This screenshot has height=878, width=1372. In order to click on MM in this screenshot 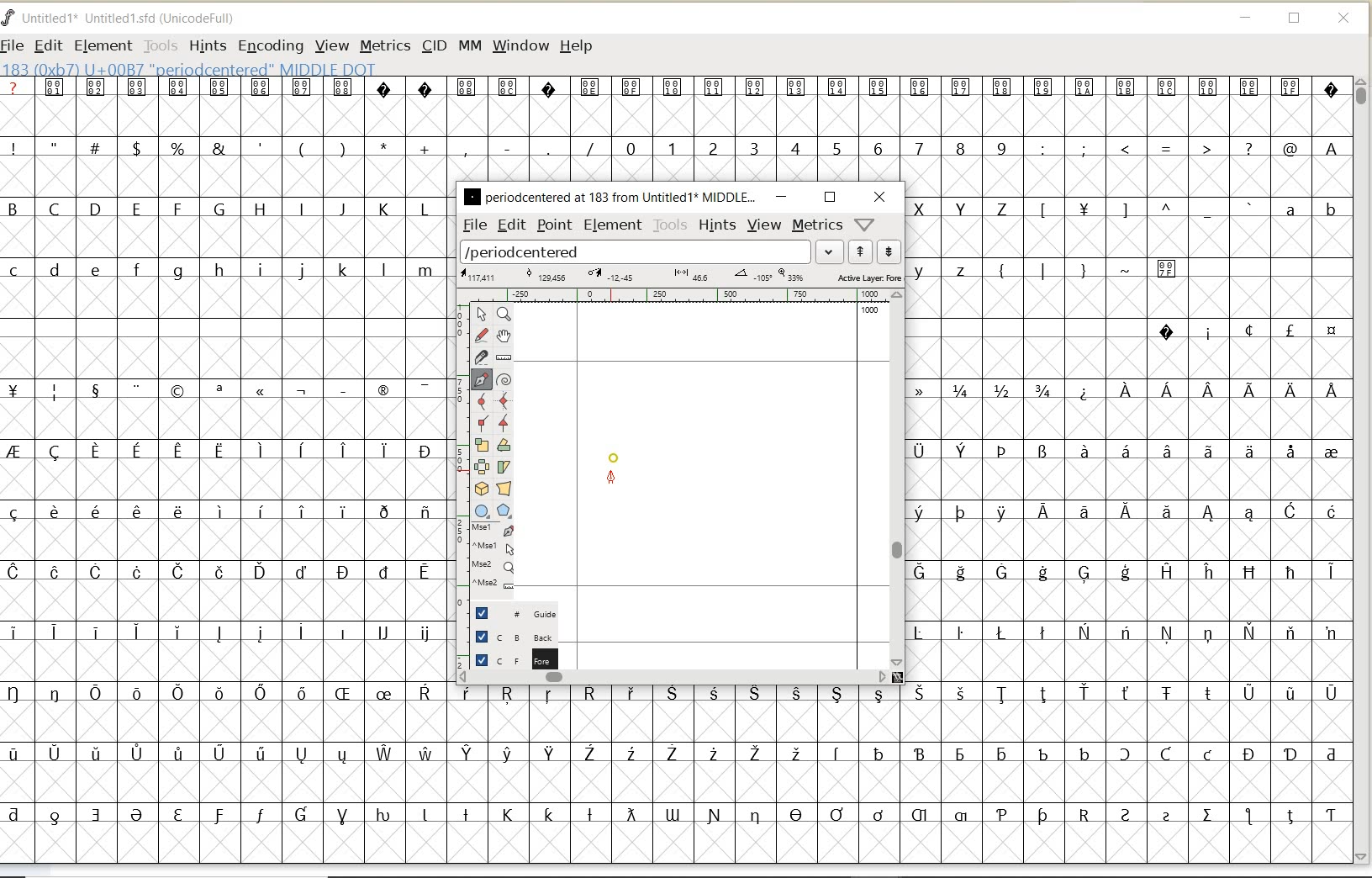, I will do `click(470, 46)`.